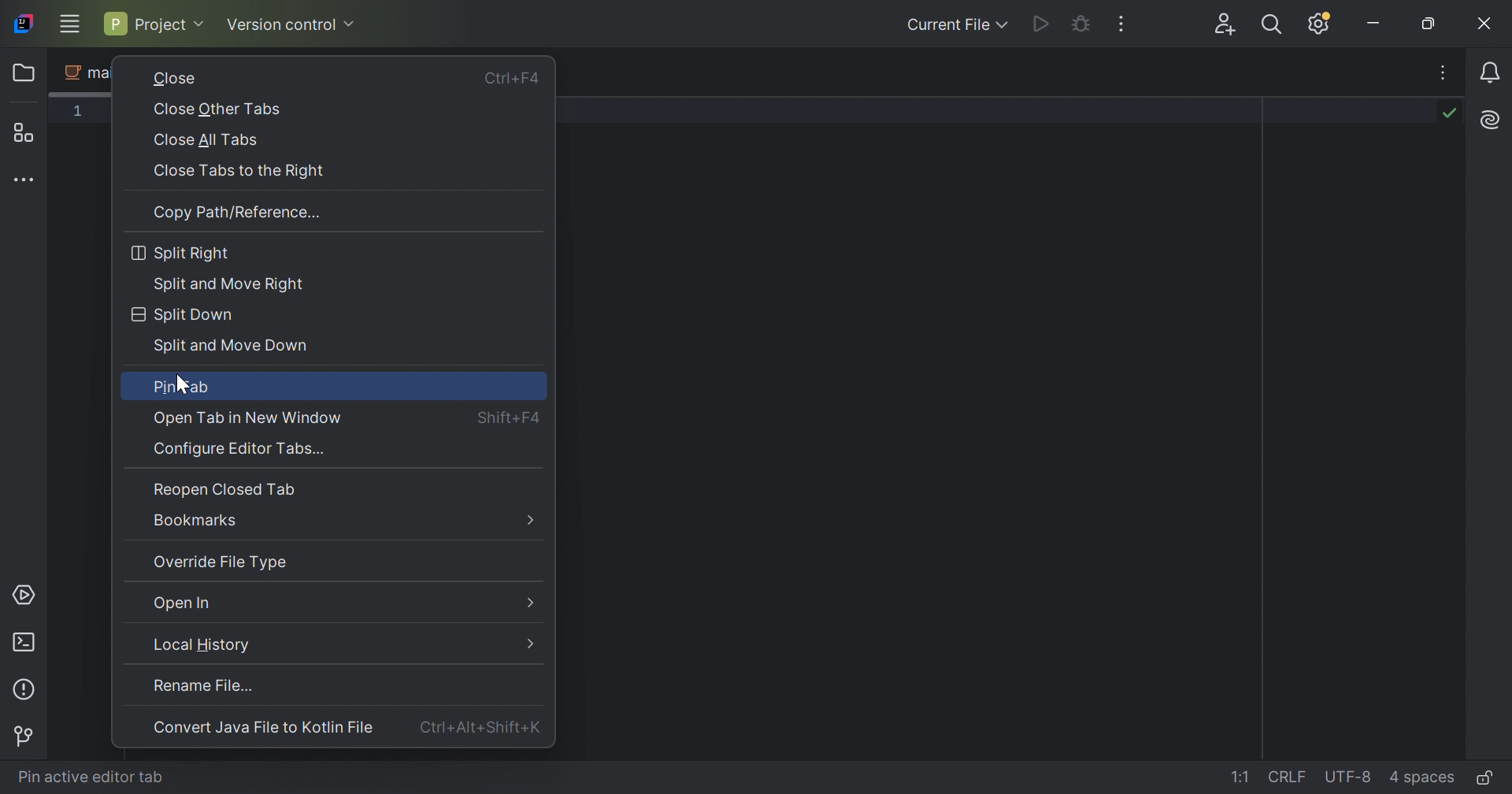  Describe the element at coordinates (224, 489) in the screenshot. I see `Reopen closed tab` at that location.